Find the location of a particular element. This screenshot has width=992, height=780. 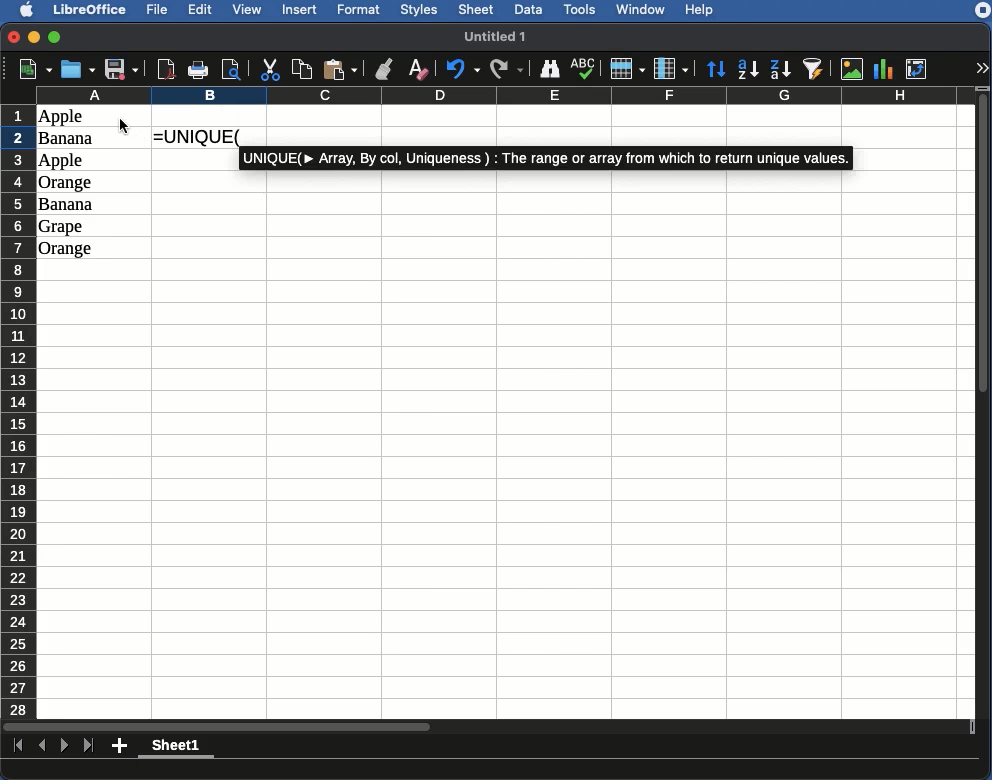

Edit is located at coordinates (201, 11).